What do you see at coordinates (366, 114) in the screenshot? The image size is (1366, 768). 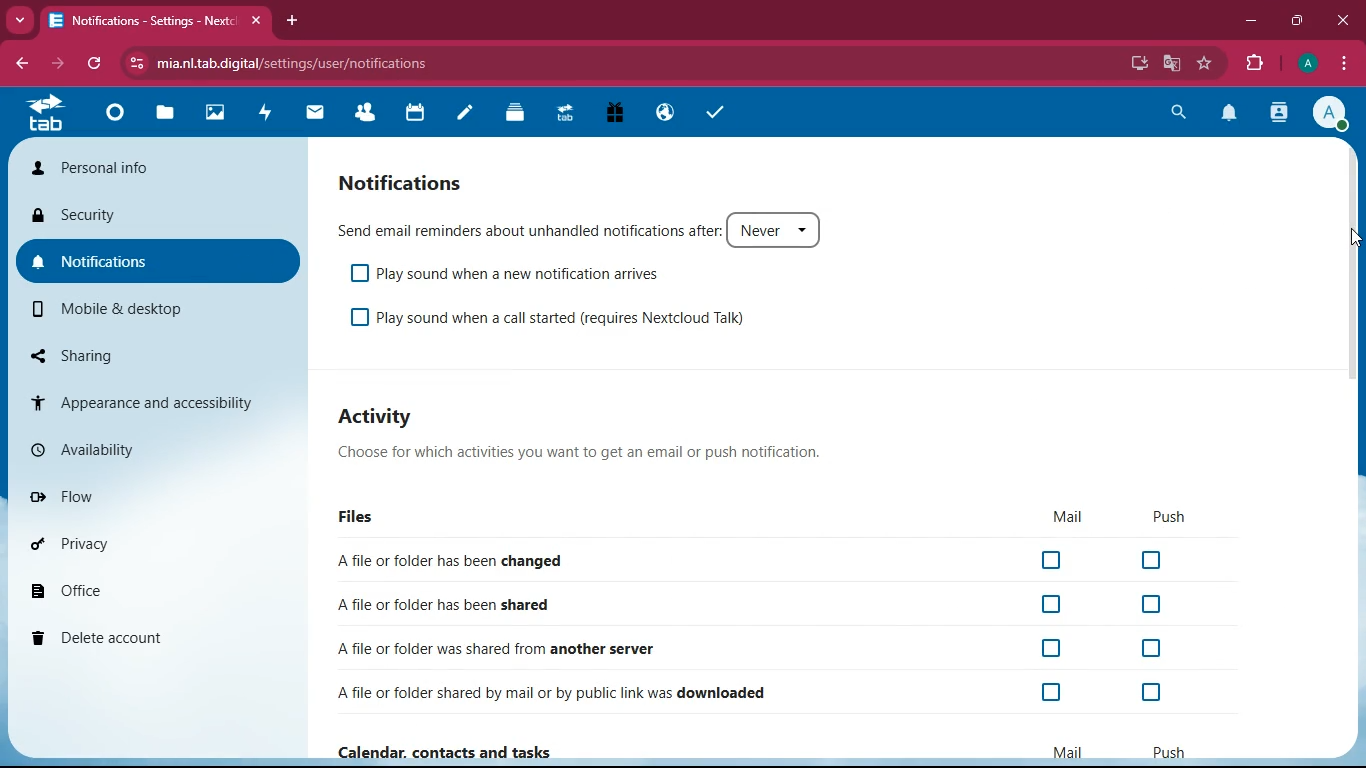 I see `Contacts` at bounding box center [366, 114].